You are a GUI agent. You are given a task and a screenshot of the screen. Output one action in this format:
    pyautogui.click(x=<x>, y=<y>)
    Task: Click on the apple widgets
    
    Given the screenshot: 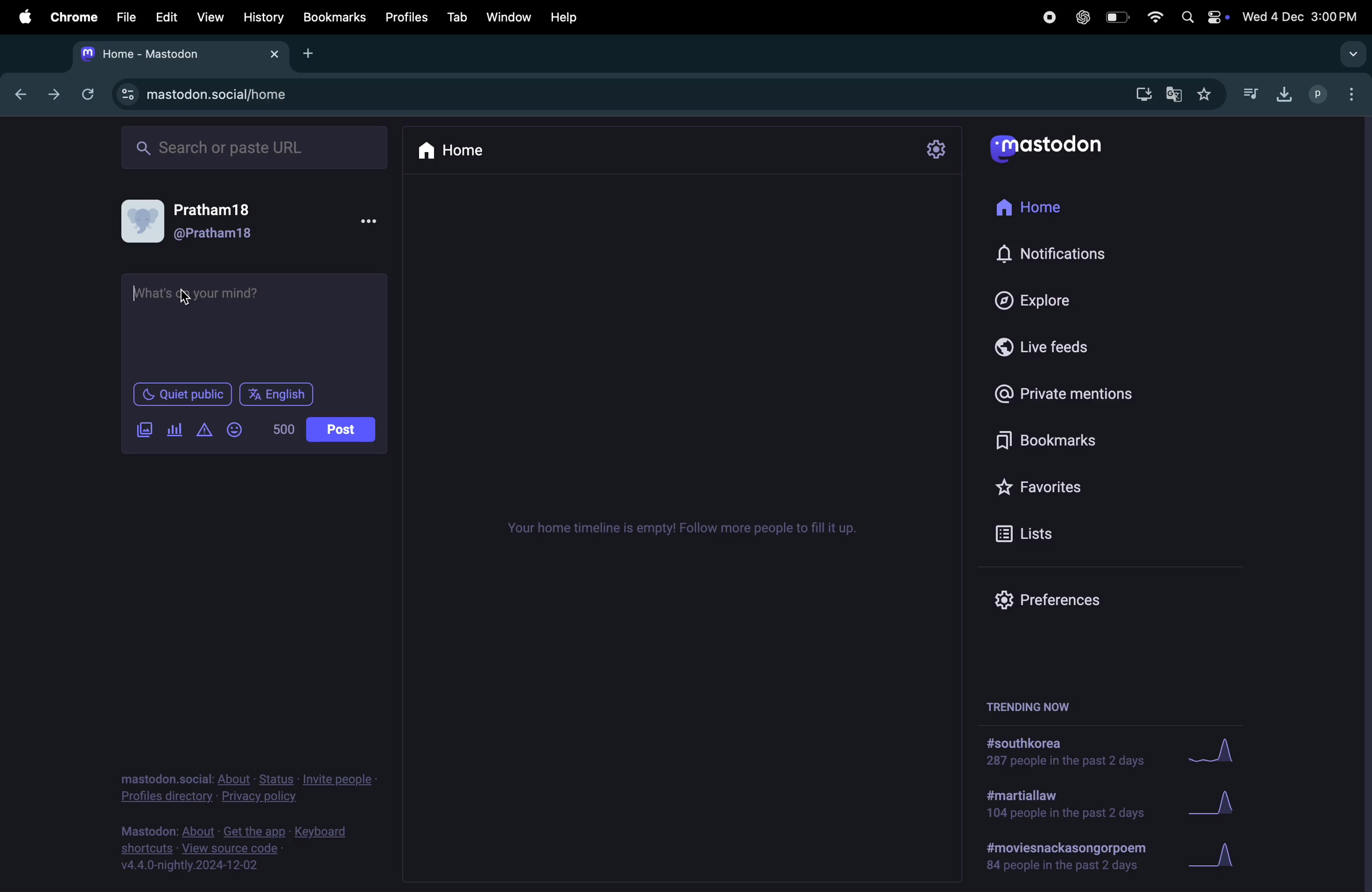 What is the action you would take?
    pyautogui.click(x=1201, y=19)
    